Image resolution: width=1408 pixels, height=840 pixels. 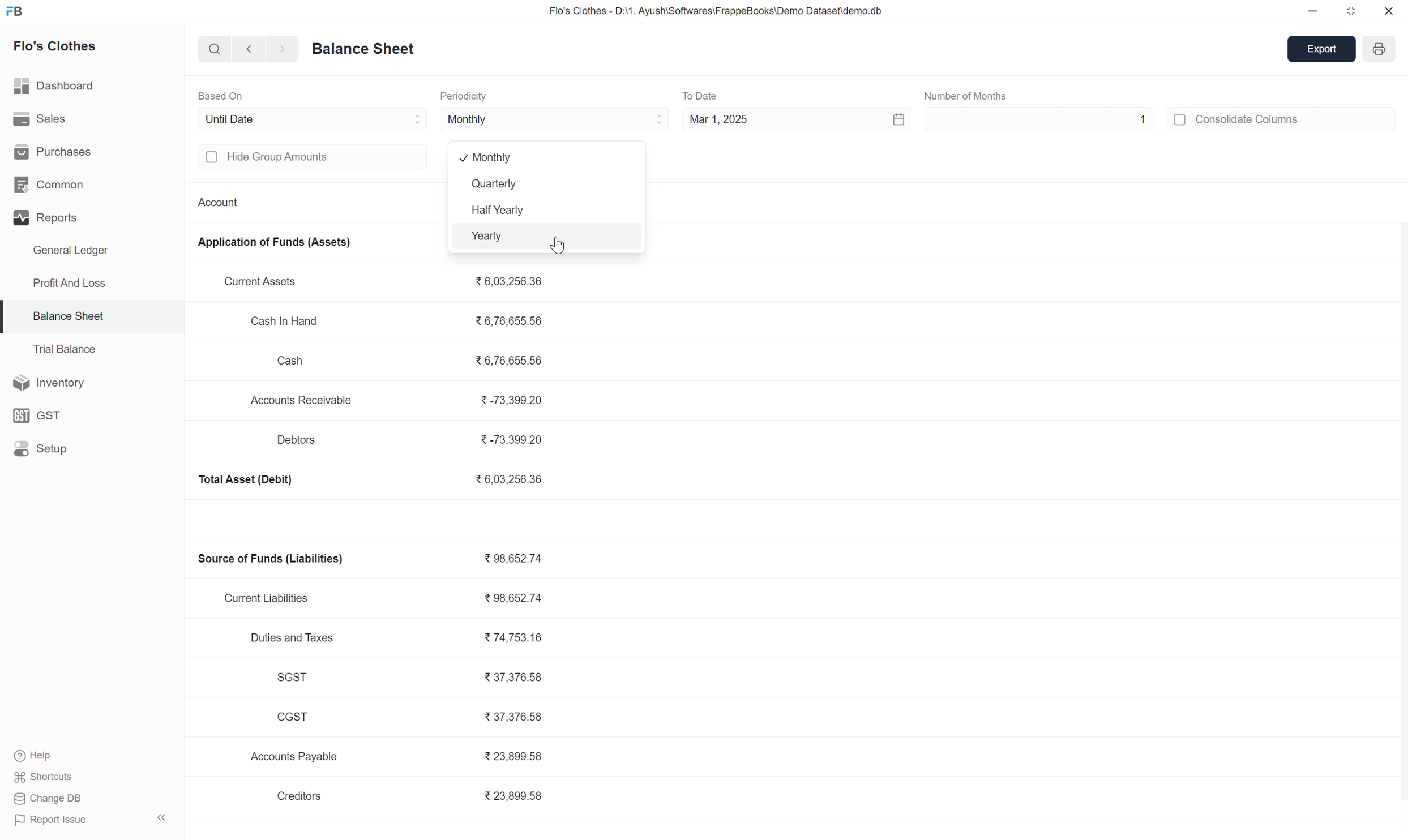 I want to click on Flo's Clothes, so click(x=58, y=46).